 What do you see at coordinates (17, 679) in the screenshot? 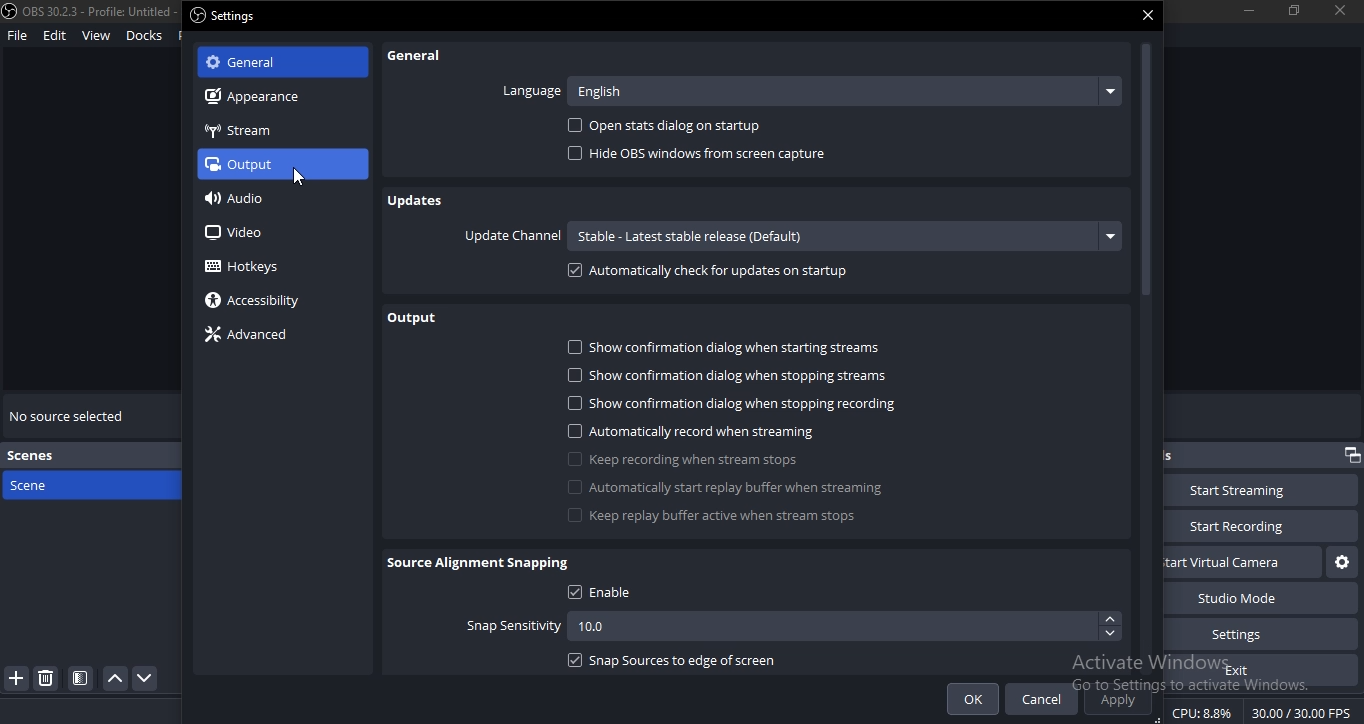
I see `add scene` at bounding box center [17, 679].